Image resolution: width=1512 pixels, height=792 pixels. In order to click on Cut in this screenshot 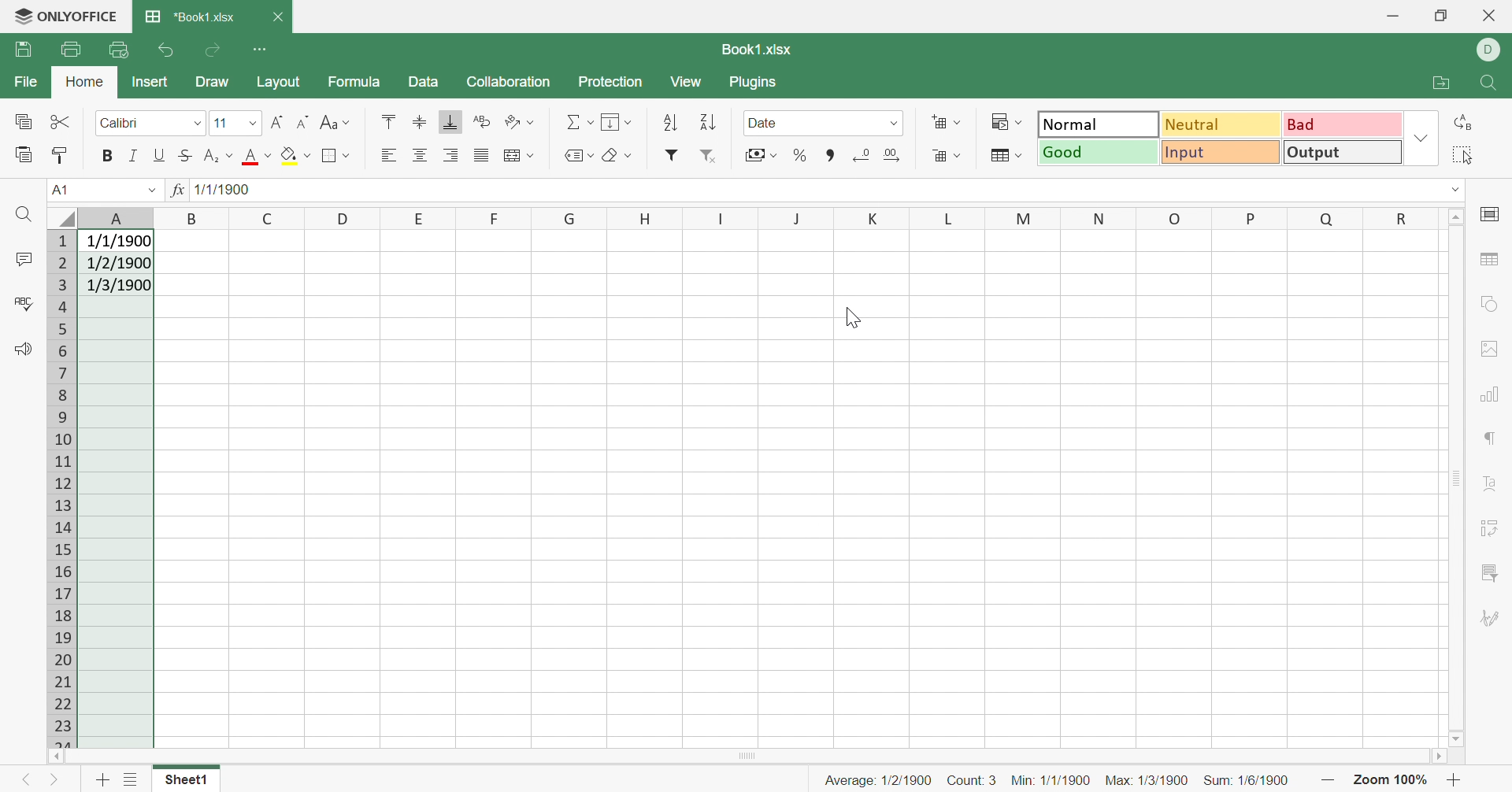, I will do `click(64, 121)`.